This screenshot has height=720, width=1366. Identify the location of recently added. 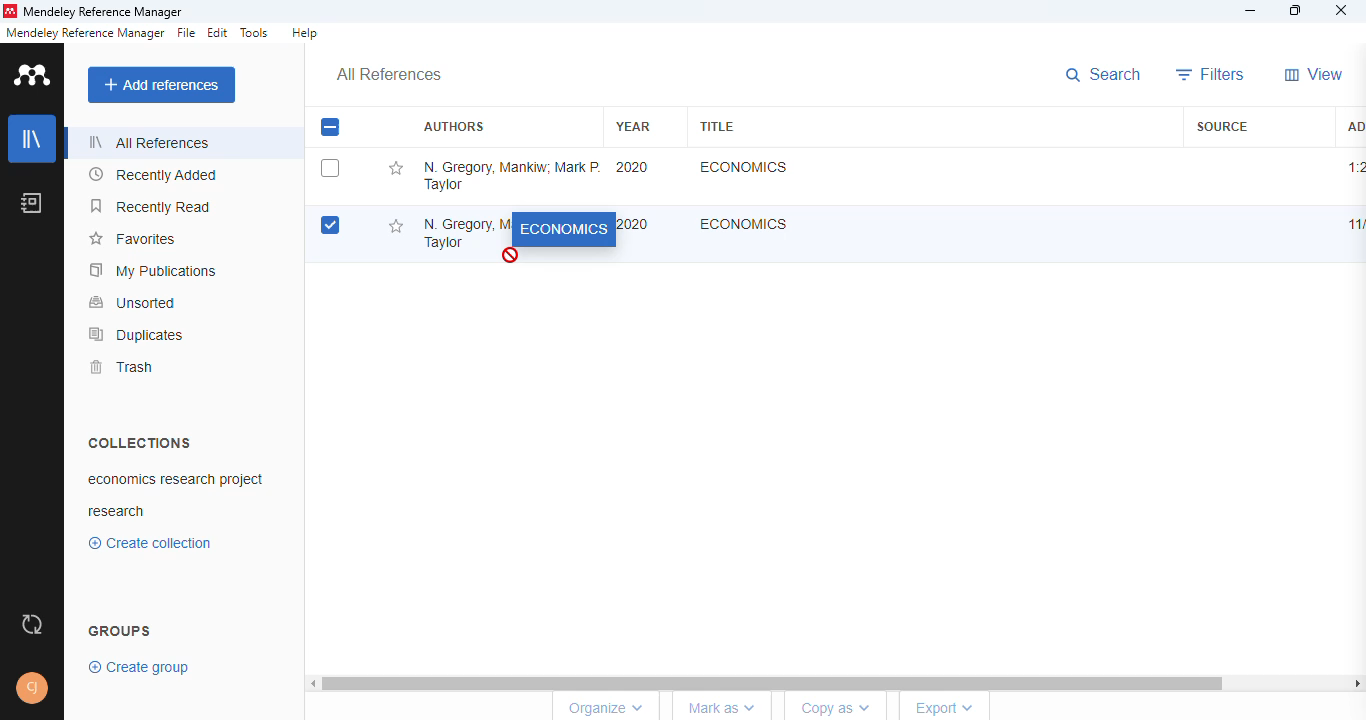
(154, 175).